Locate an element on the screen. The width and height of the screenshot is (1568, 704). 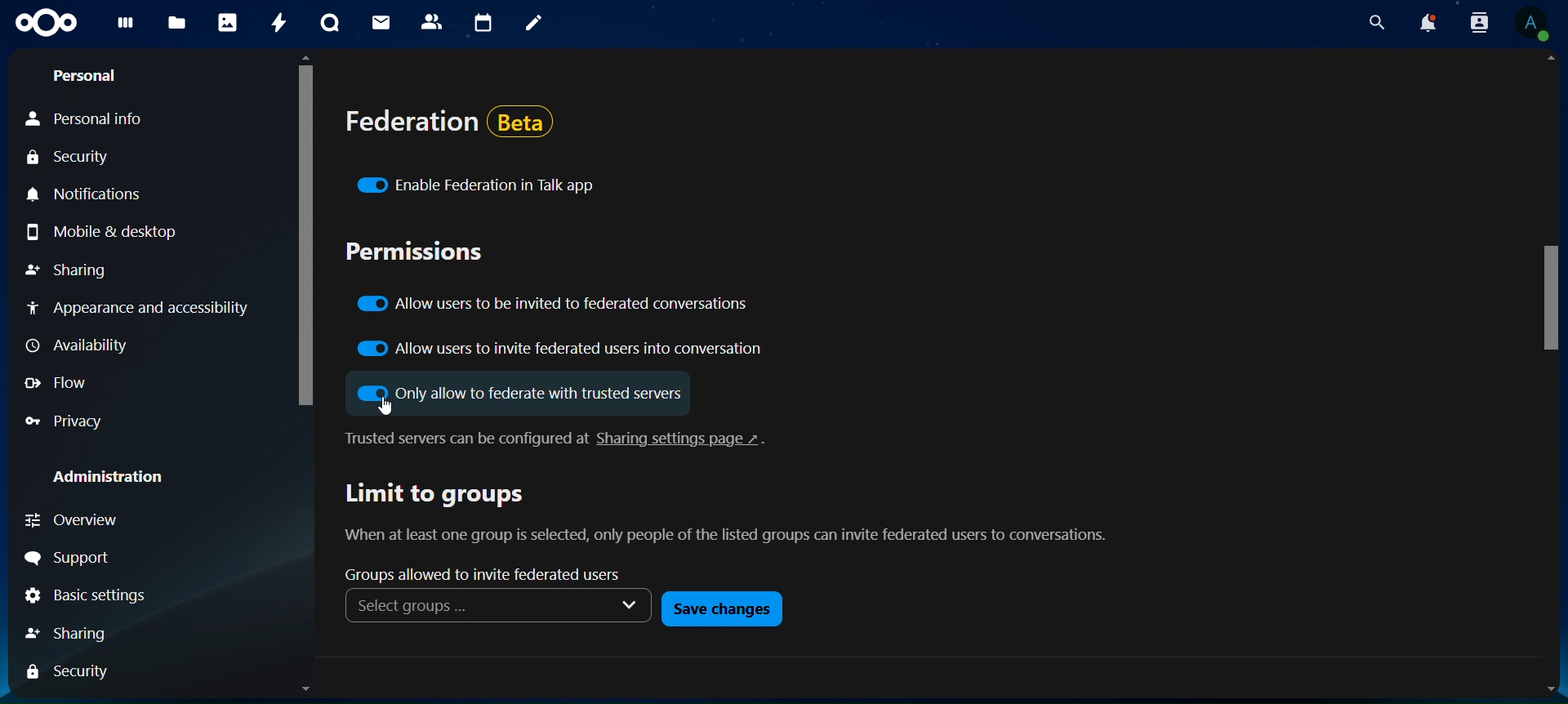
allow users to invite federations users into conversation is located at coordinates (567, 350).